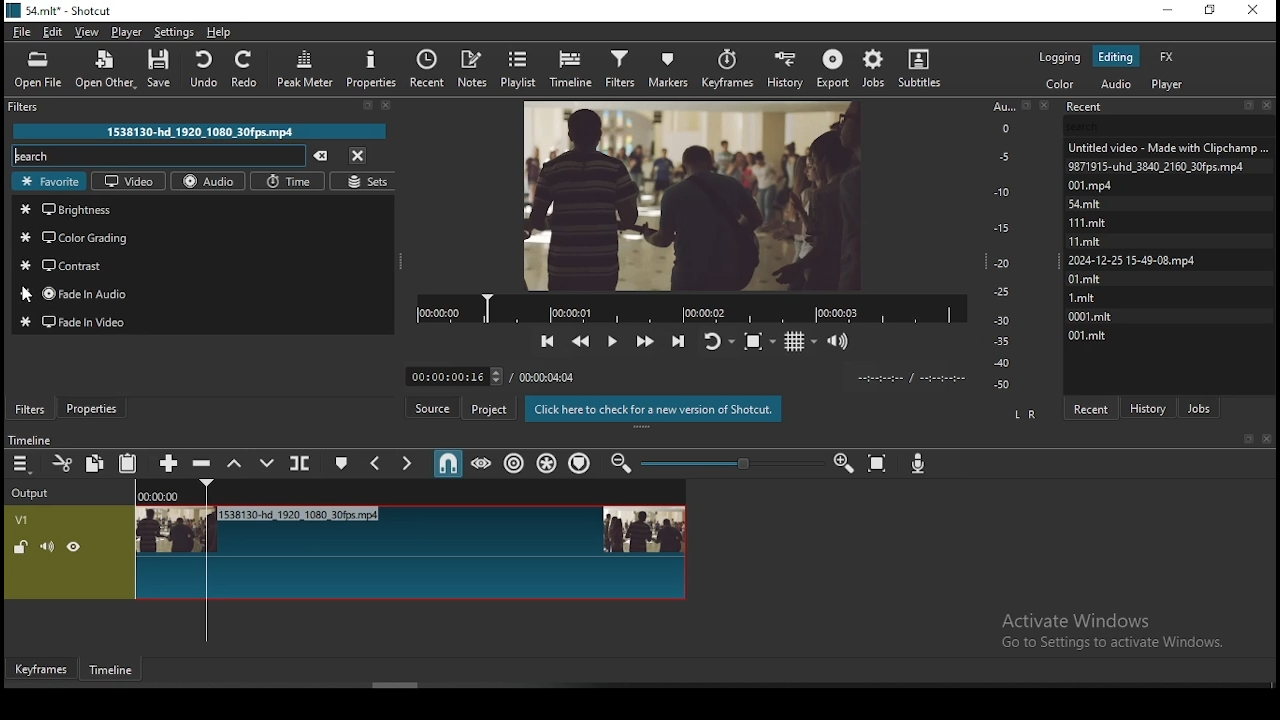  Describe the element at coordinates (654, 409) in the screenshot. I see `Click here to check for a new version of Shotcut.` at that location.